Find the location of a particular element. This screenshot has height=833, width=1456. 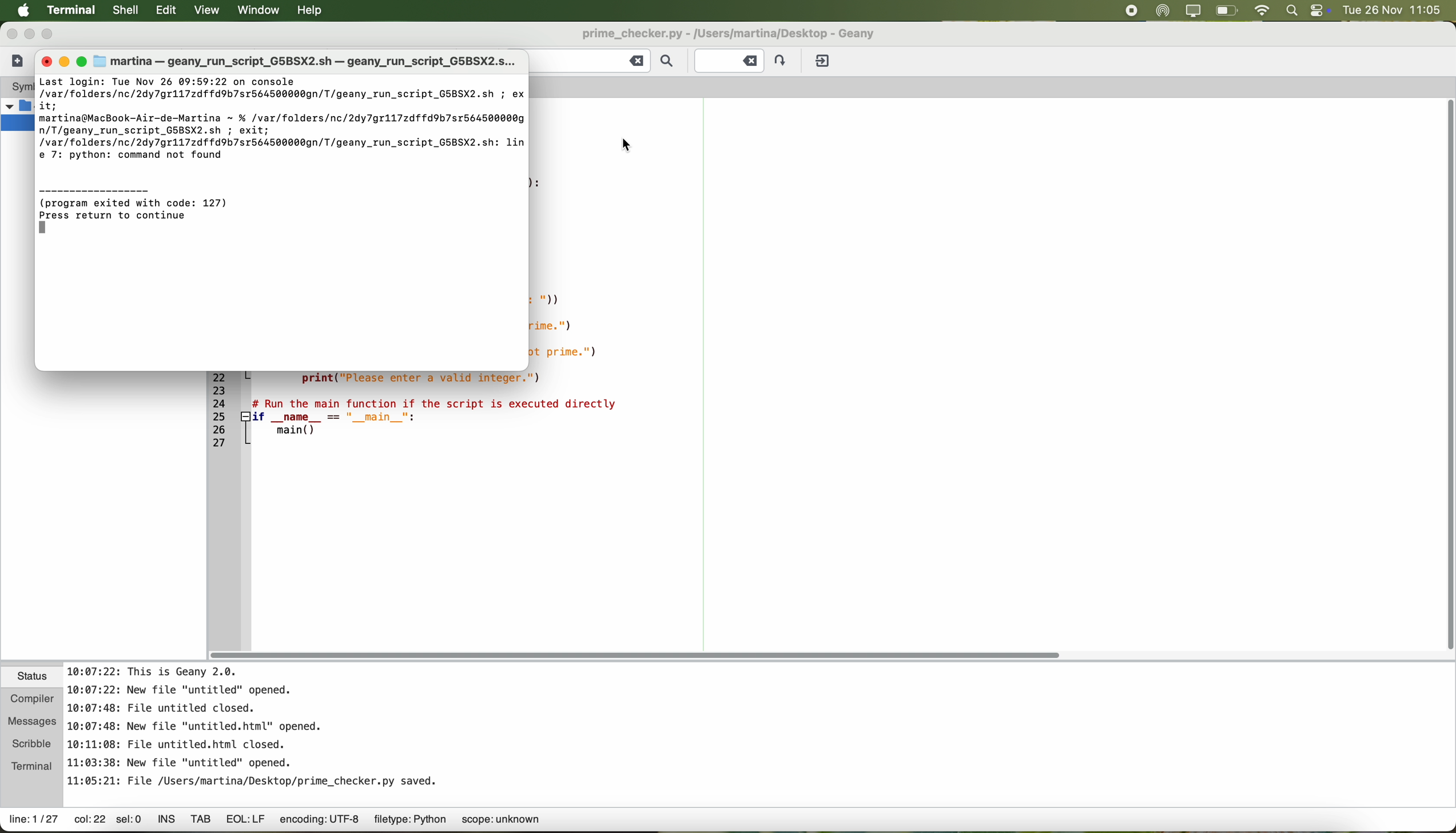

close Geany is located at coordinates (10, 31).